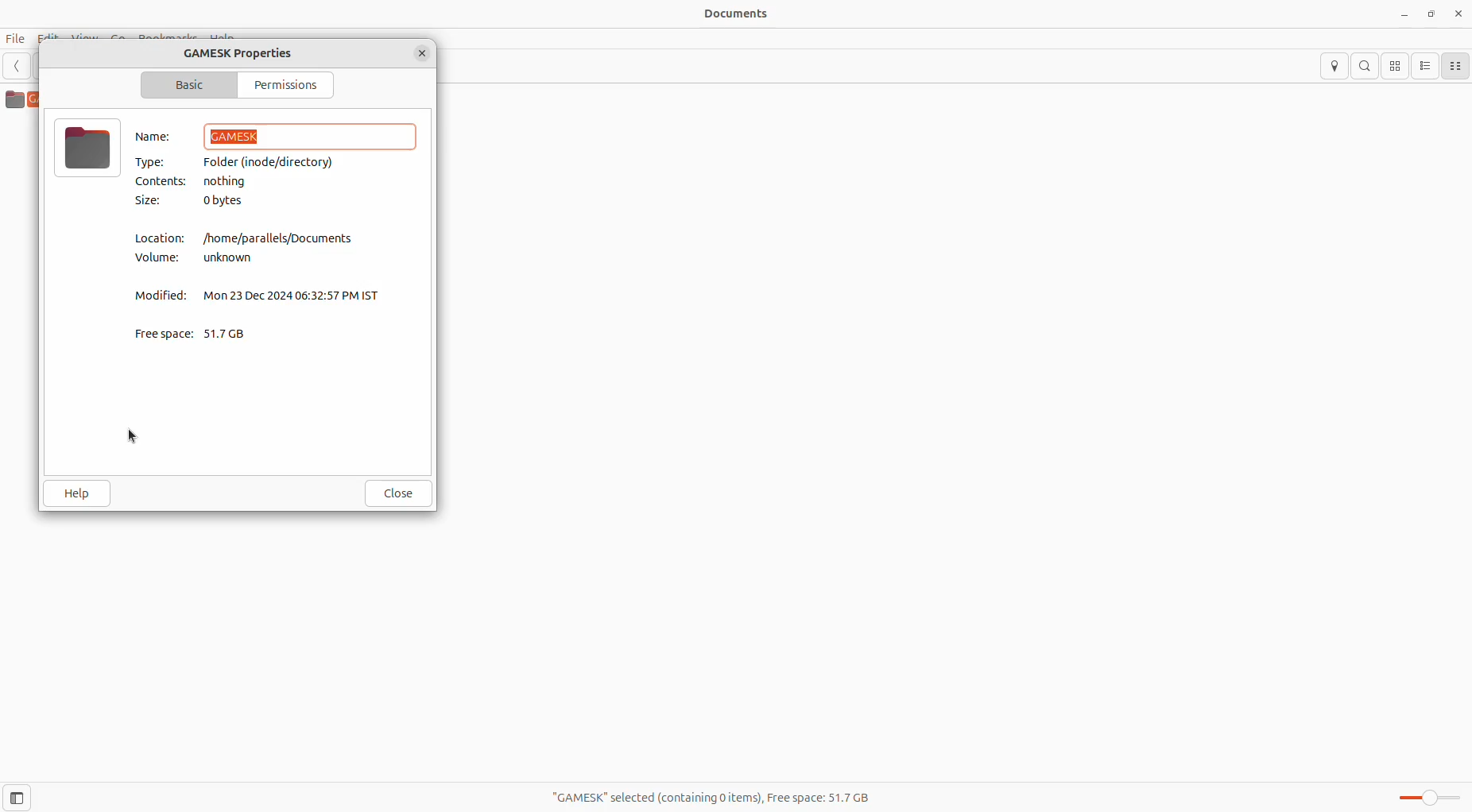 The image size is (1472, 812). Describe the element at coordinates (730, 12) in the screenshot. I see `Documents` at that location.